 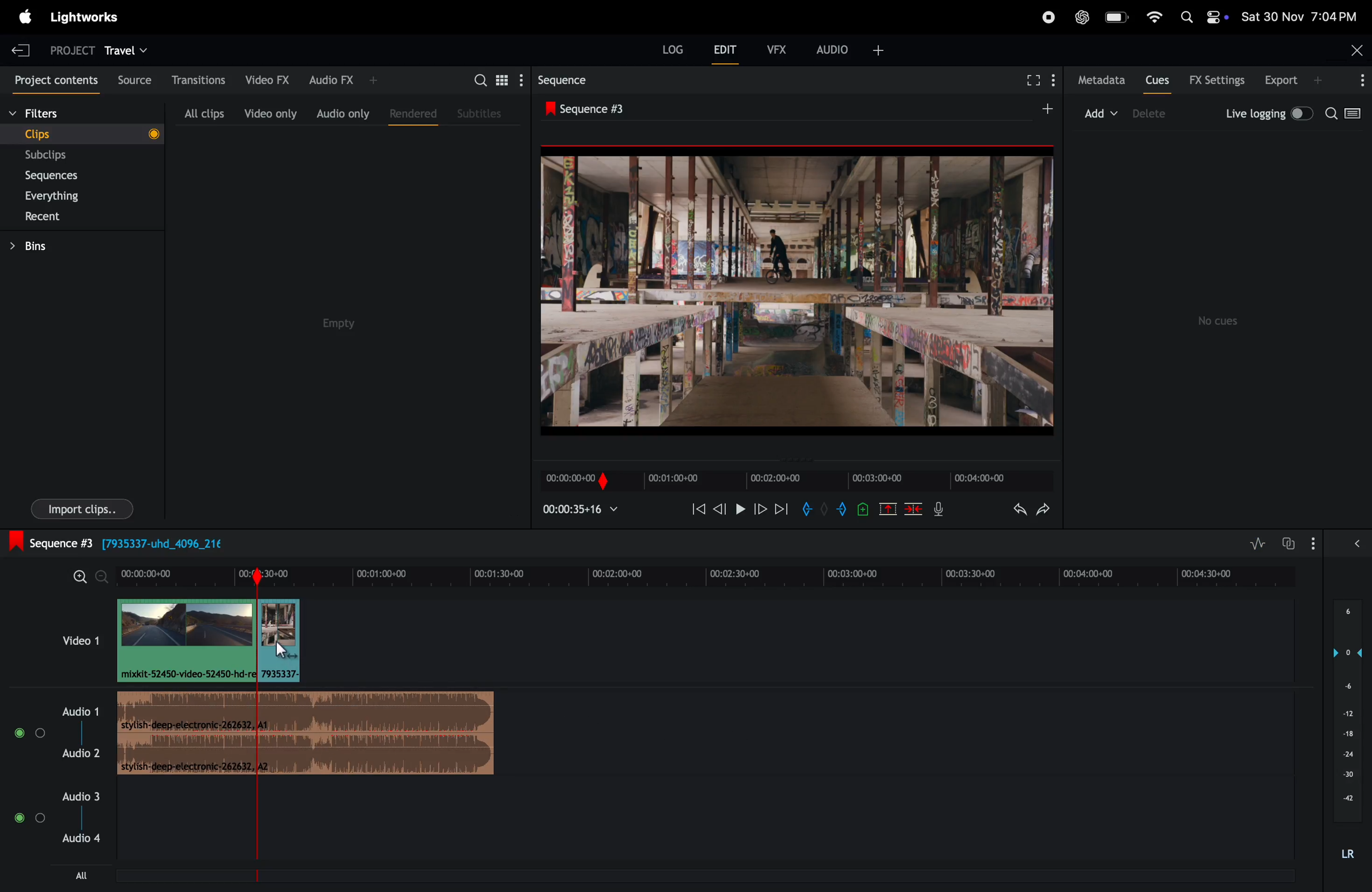 I want to click on import clips, so click(x=82, y=508).